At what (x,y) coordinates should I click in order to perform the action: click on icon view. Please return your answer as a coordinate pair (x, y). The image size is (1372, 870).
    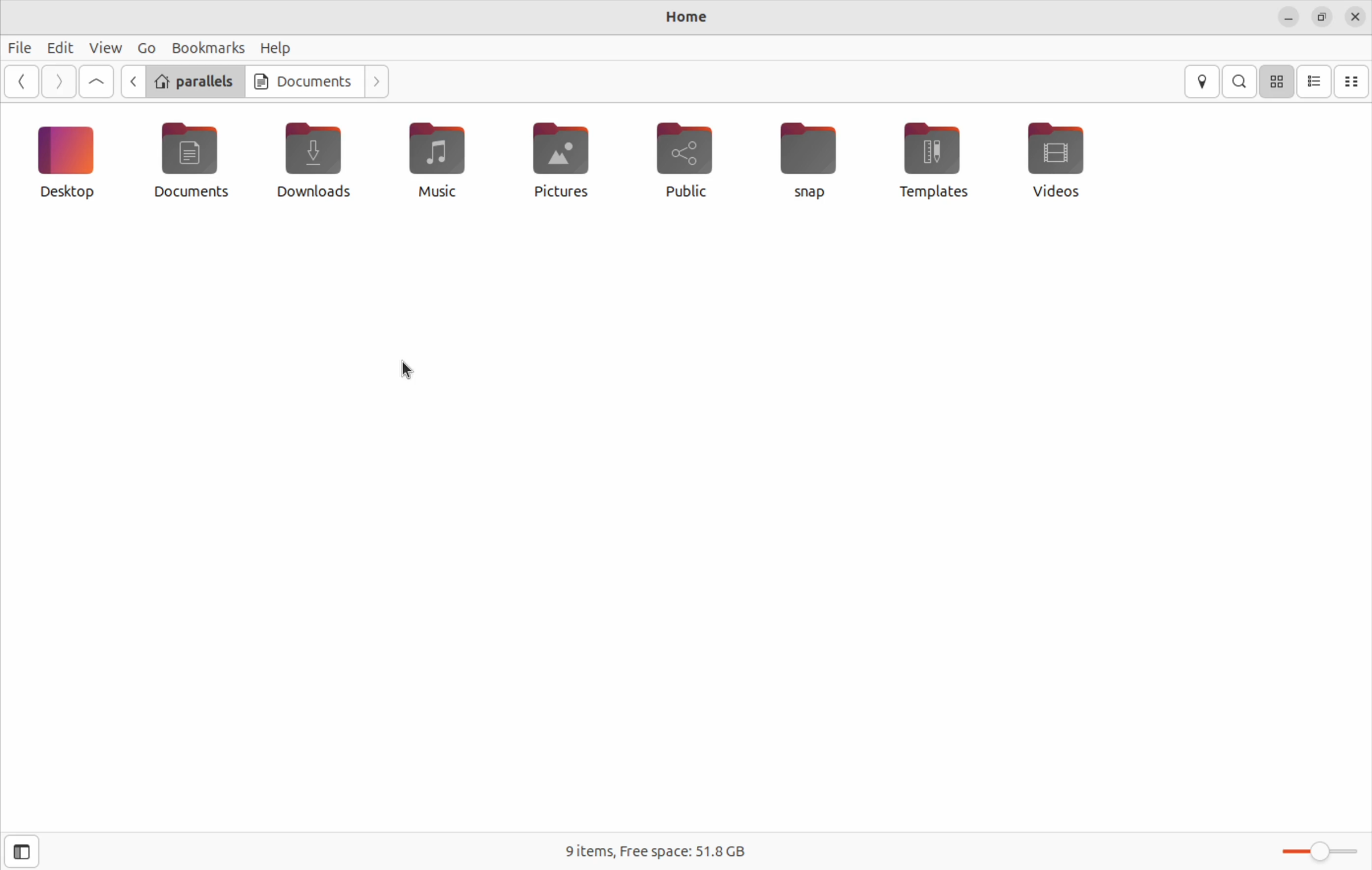
    Looking at the image, I should click on (1315, 81).